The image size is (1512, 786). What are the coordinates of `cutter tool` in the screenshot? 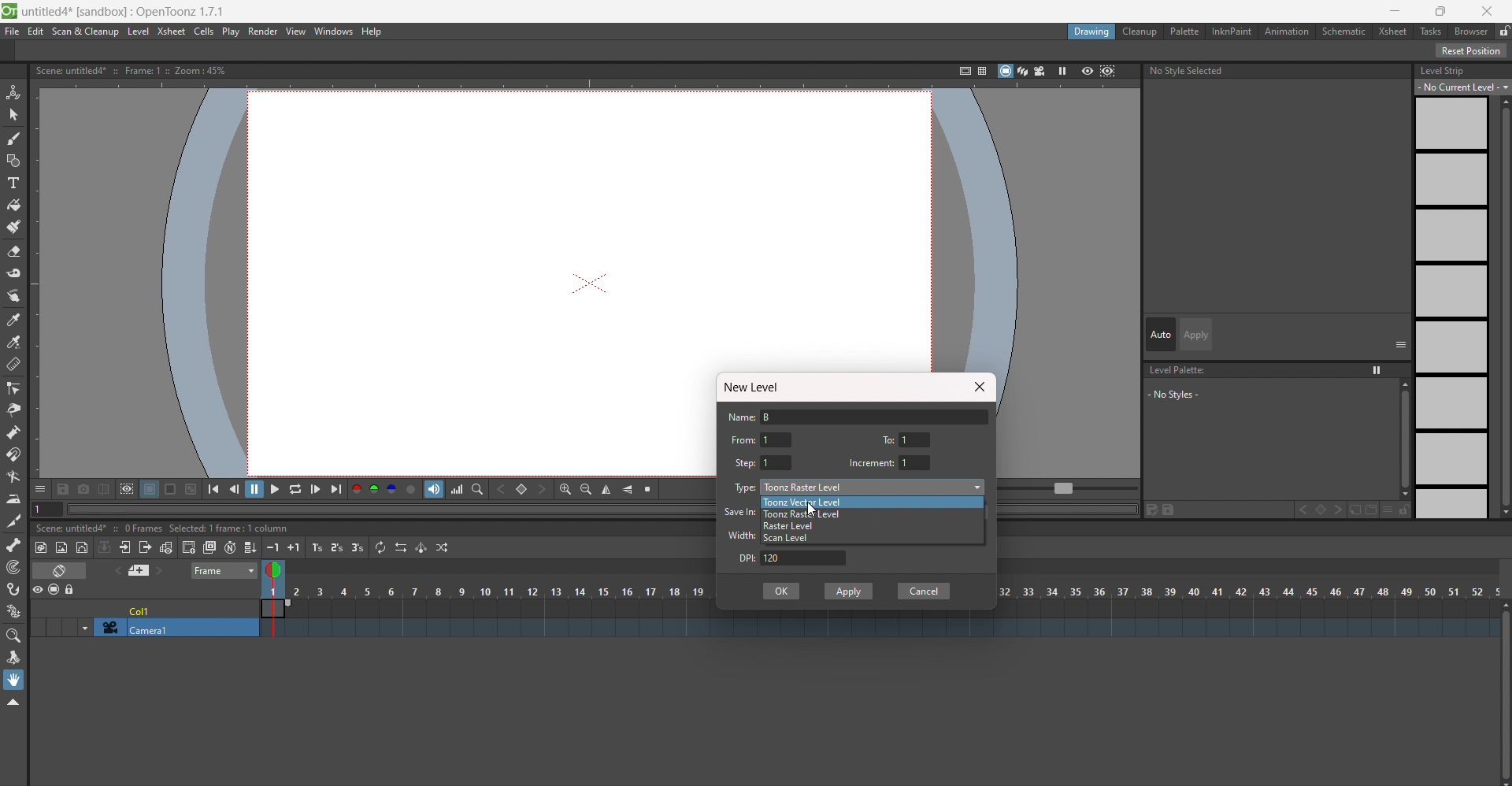 It's located at (12, 522).